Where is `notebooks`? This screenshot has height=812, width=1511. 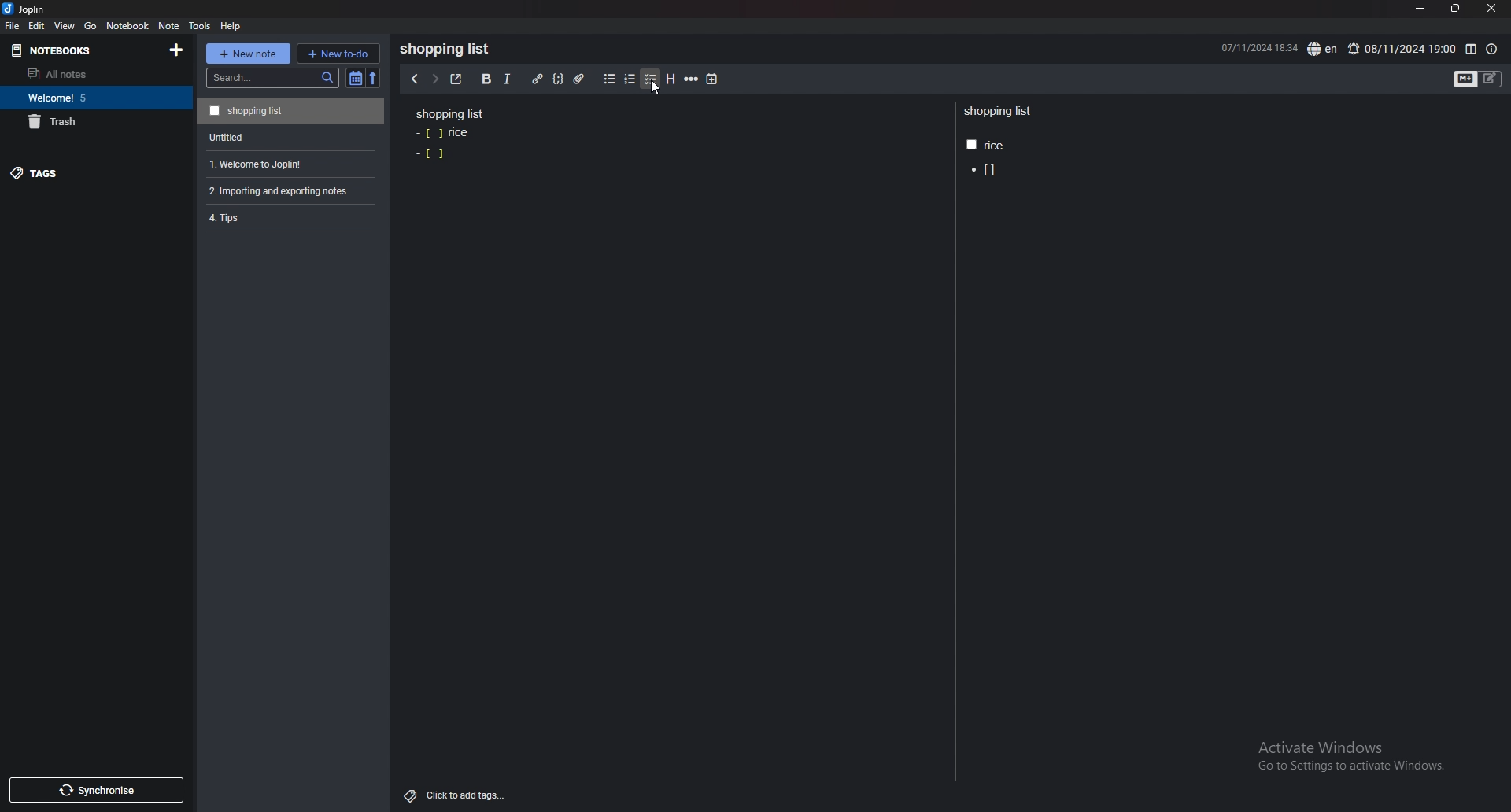
notebooks is located at coordinates (72, 51).